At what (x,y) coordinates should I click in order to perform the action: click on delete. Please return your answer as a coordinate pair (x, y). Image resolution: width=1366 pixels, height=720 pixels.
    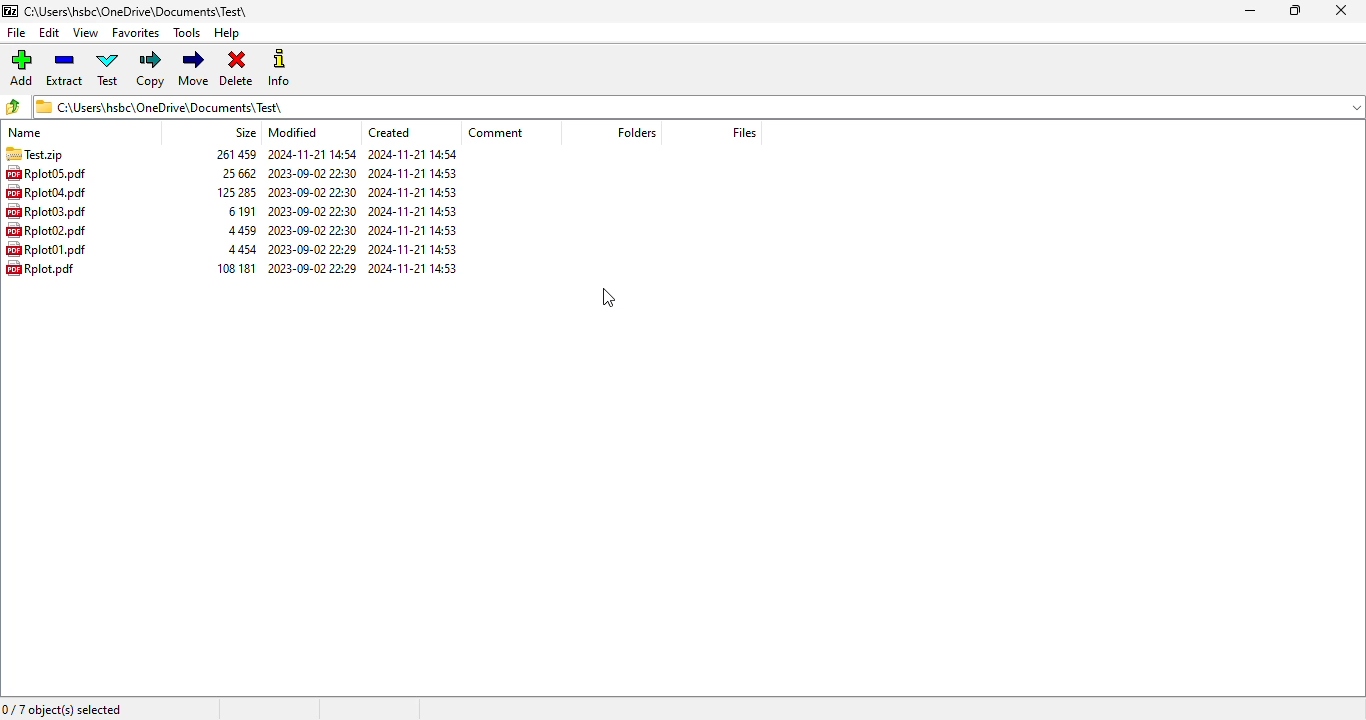
    Looking at the image, I should click on (238, 69).